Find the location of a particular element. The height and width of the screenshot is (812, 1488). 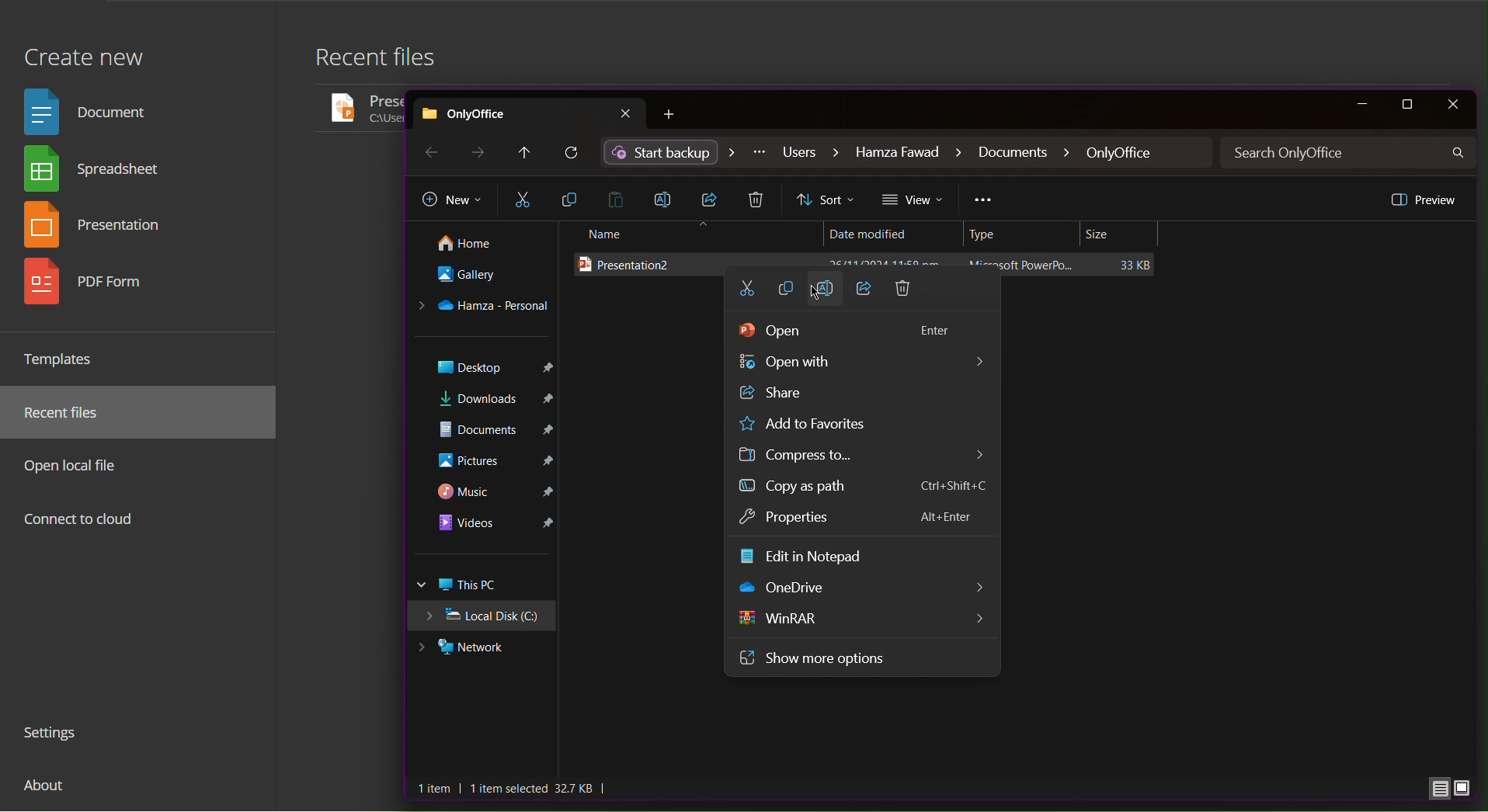

network is located at coordinates (478, 649).